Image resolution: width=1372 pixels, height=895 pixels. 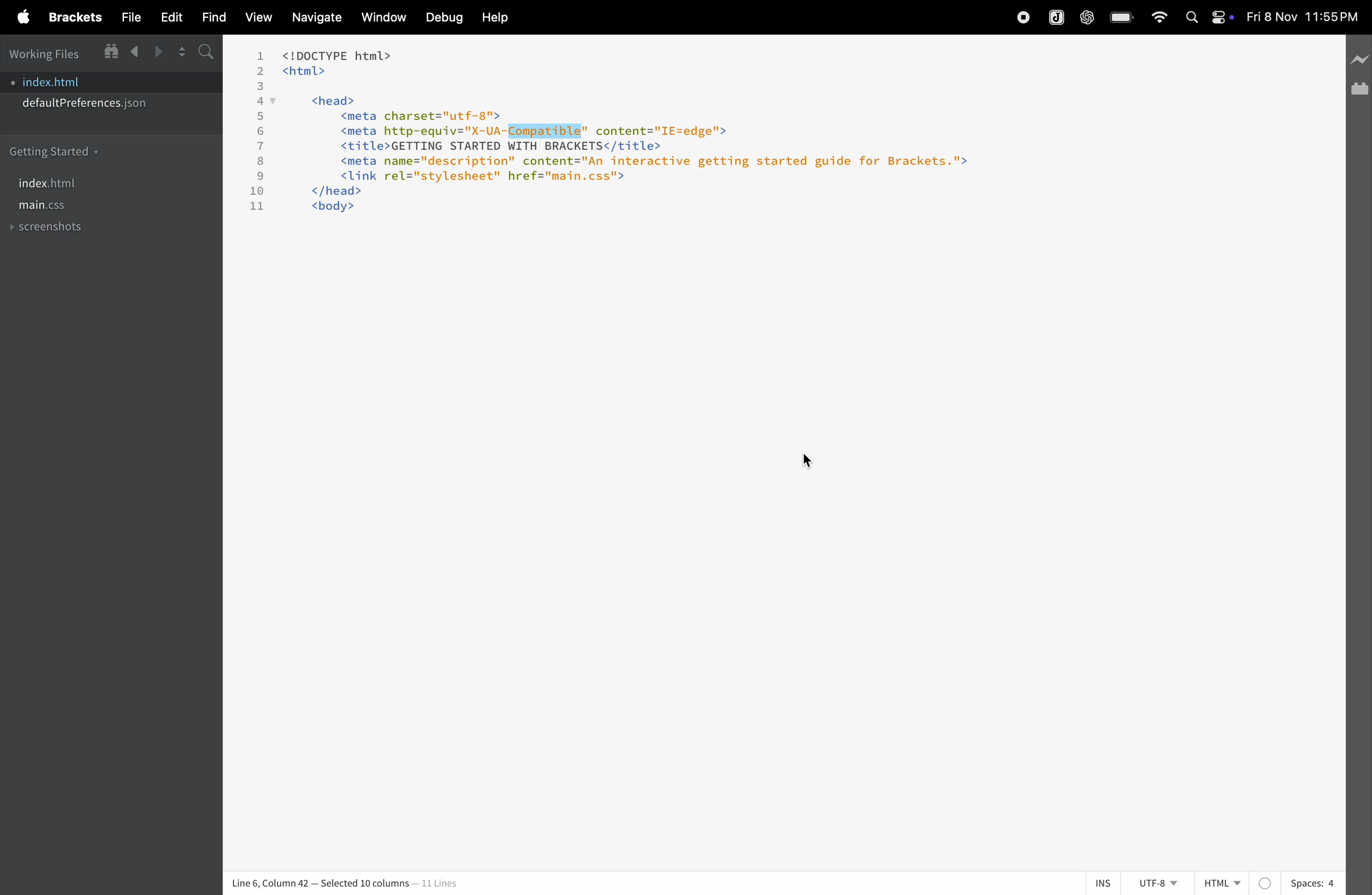 I want to click on record, so click(x=1026, y=18).